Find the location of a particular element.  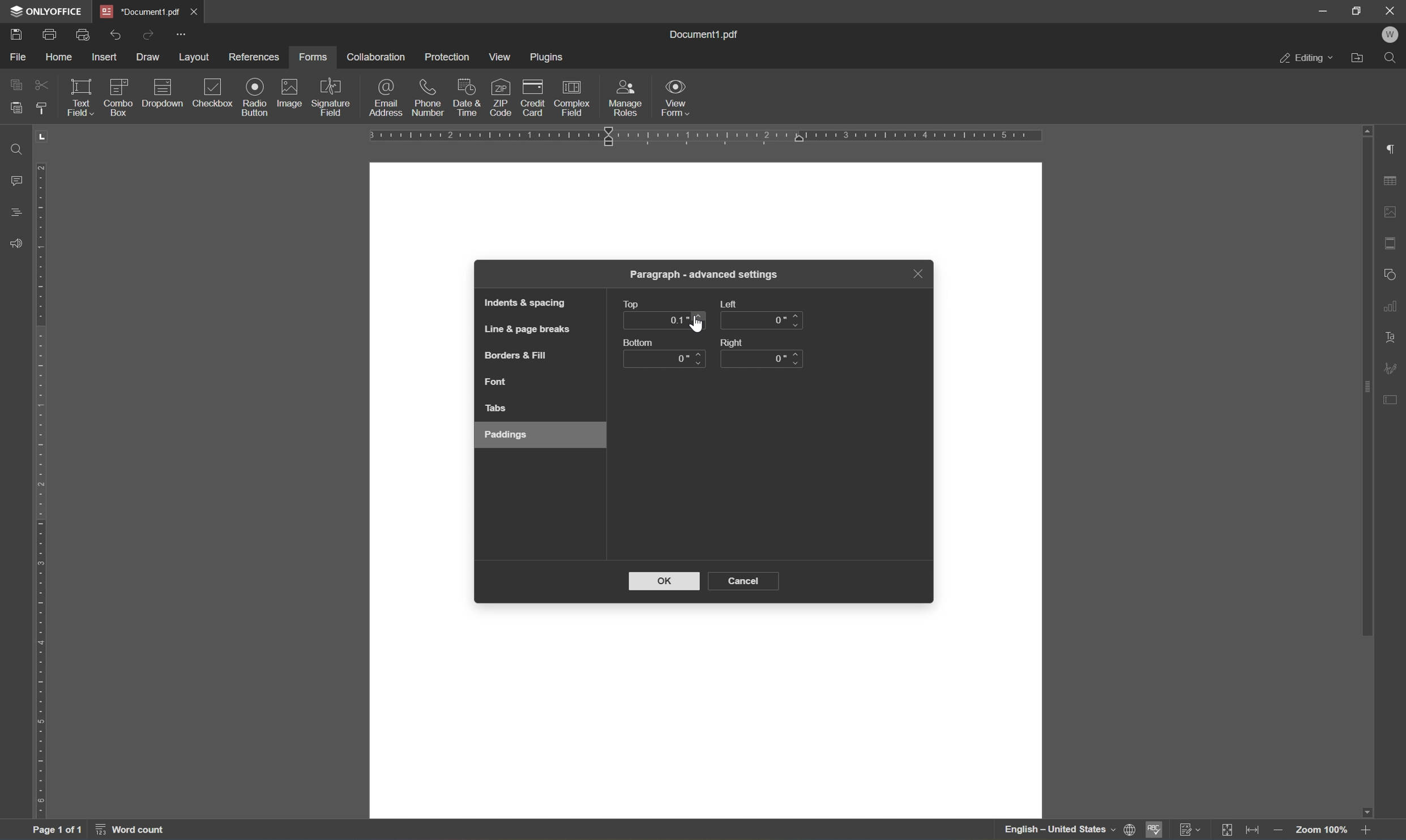

phone number is located at coordinates (426, 98).